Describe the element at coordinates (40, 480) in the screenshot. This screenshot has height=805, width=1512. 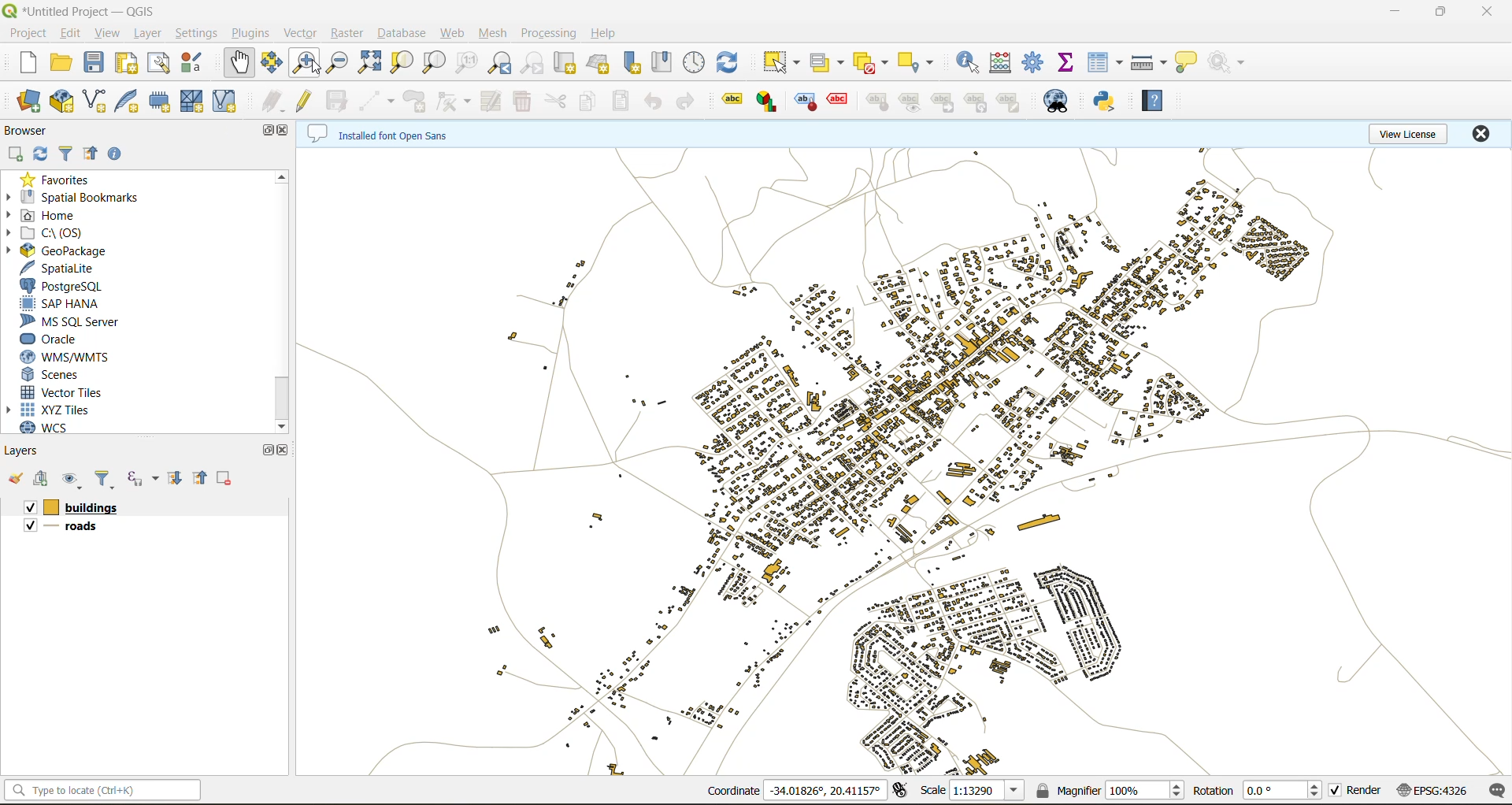
I see `add` at that location.